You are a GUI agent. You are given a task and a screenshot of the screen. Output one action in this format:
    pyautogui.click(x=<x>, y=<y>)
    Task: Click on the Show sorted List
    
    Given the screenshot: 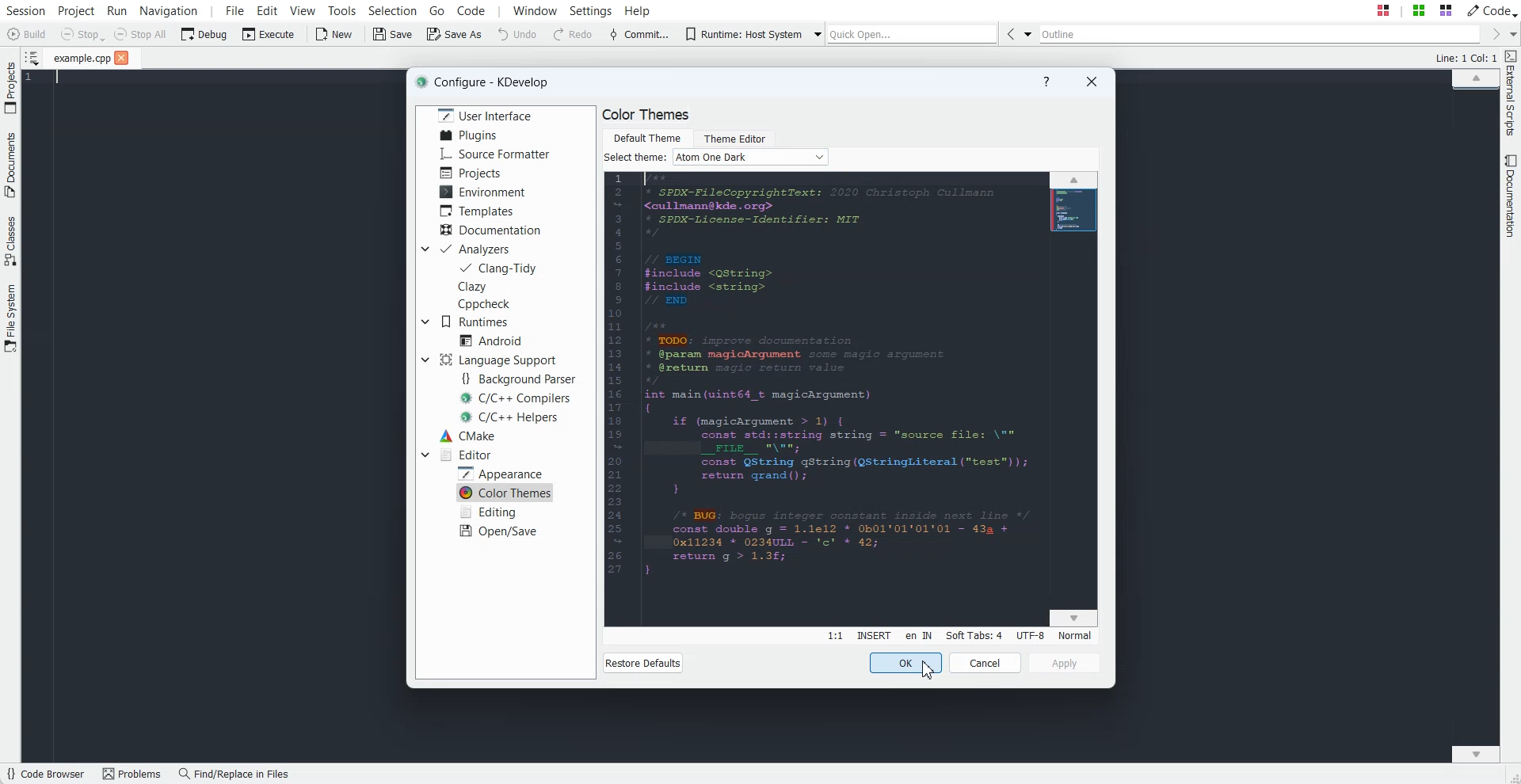 What is the action you would take?
    pyautogui.click(x=31, y=57)
    